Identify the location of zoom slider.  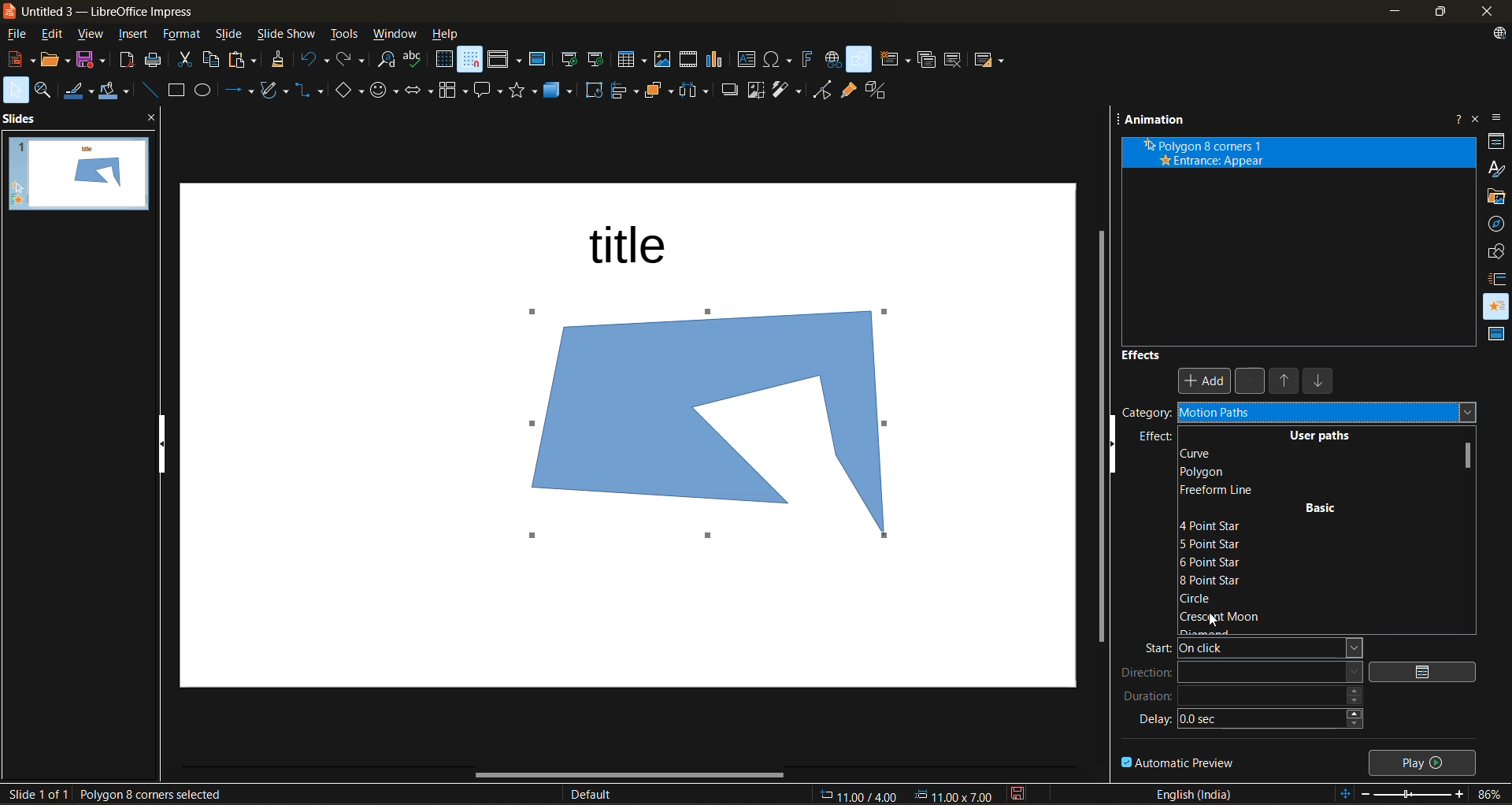
(1412, 792).